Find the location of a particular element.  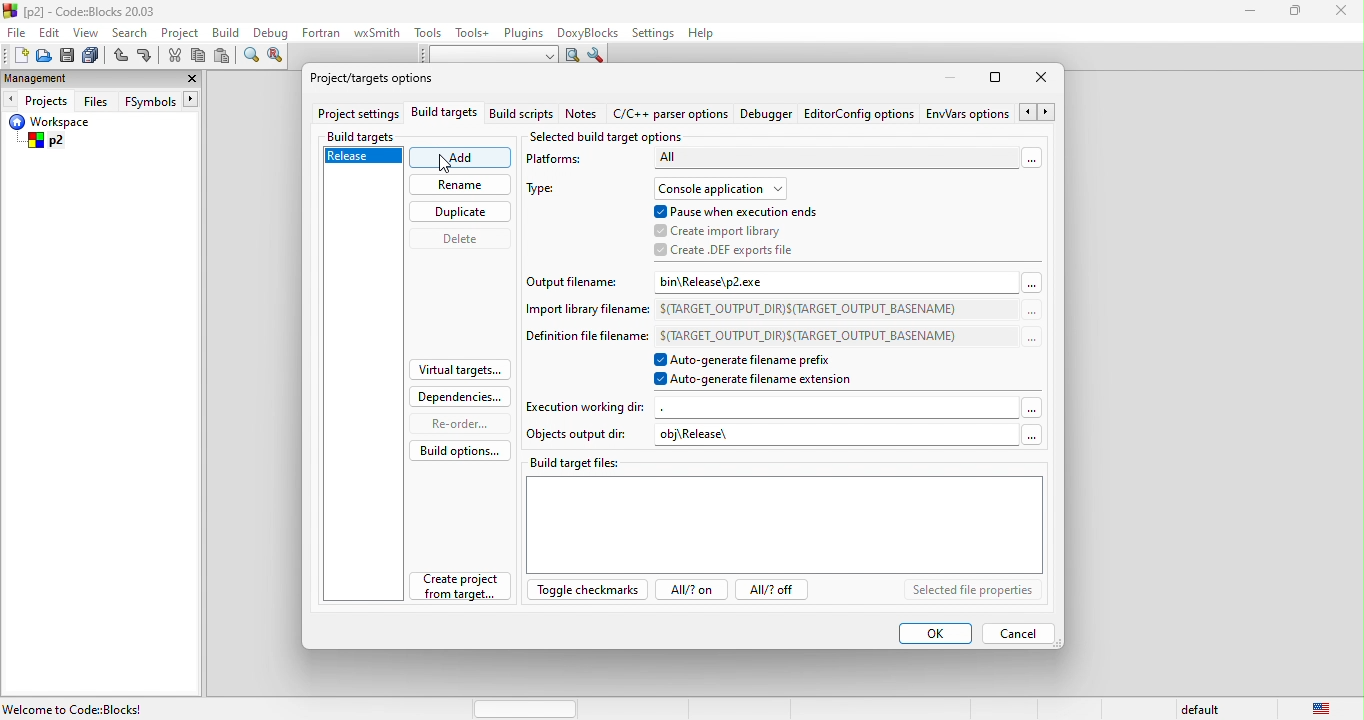

maximize is located at coordinates (1301, 13).